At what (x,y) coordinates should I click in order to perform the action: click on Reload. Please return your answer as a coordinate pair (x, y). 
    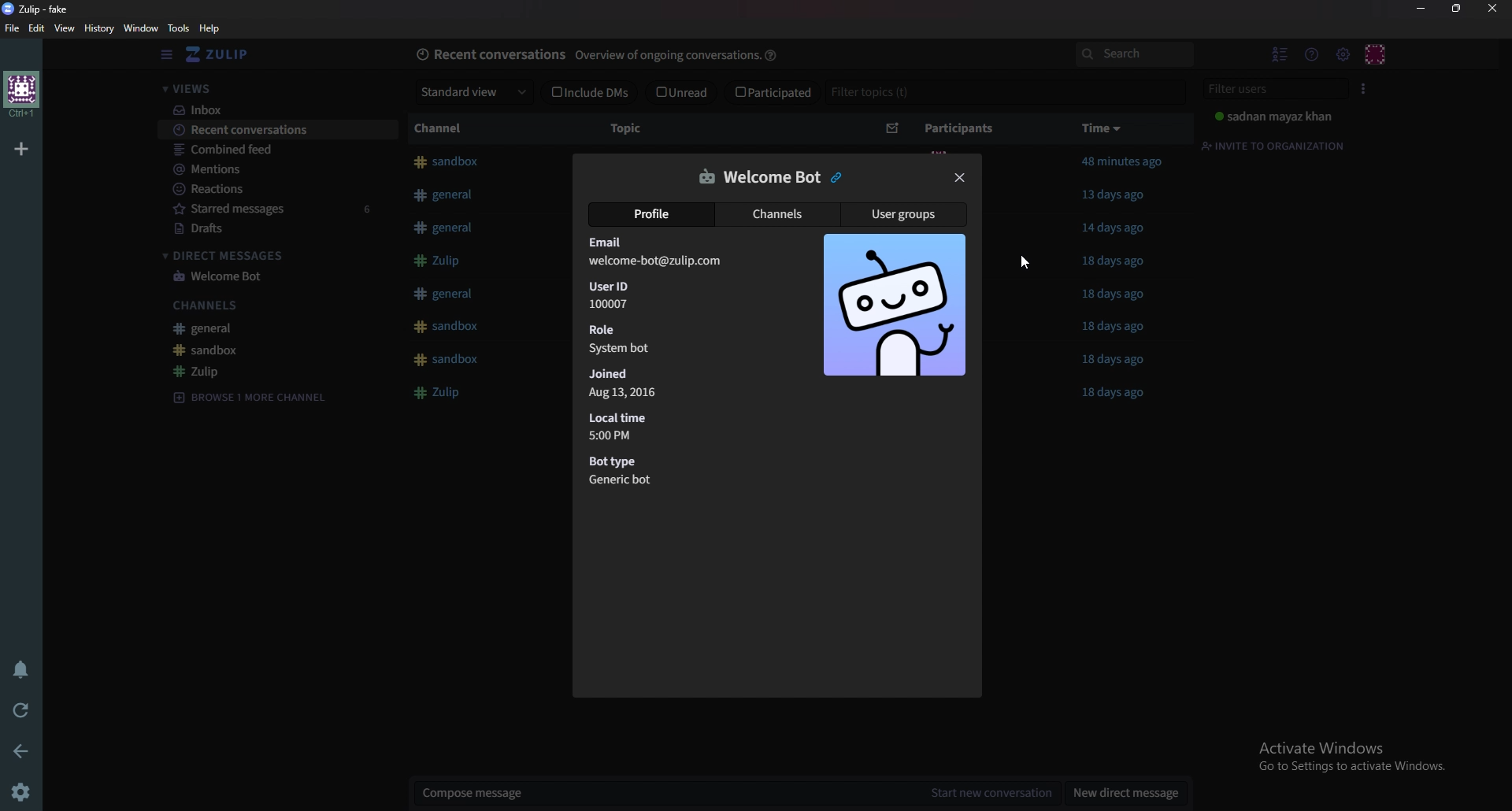
    Looking at the image, I should click on (21, 710).